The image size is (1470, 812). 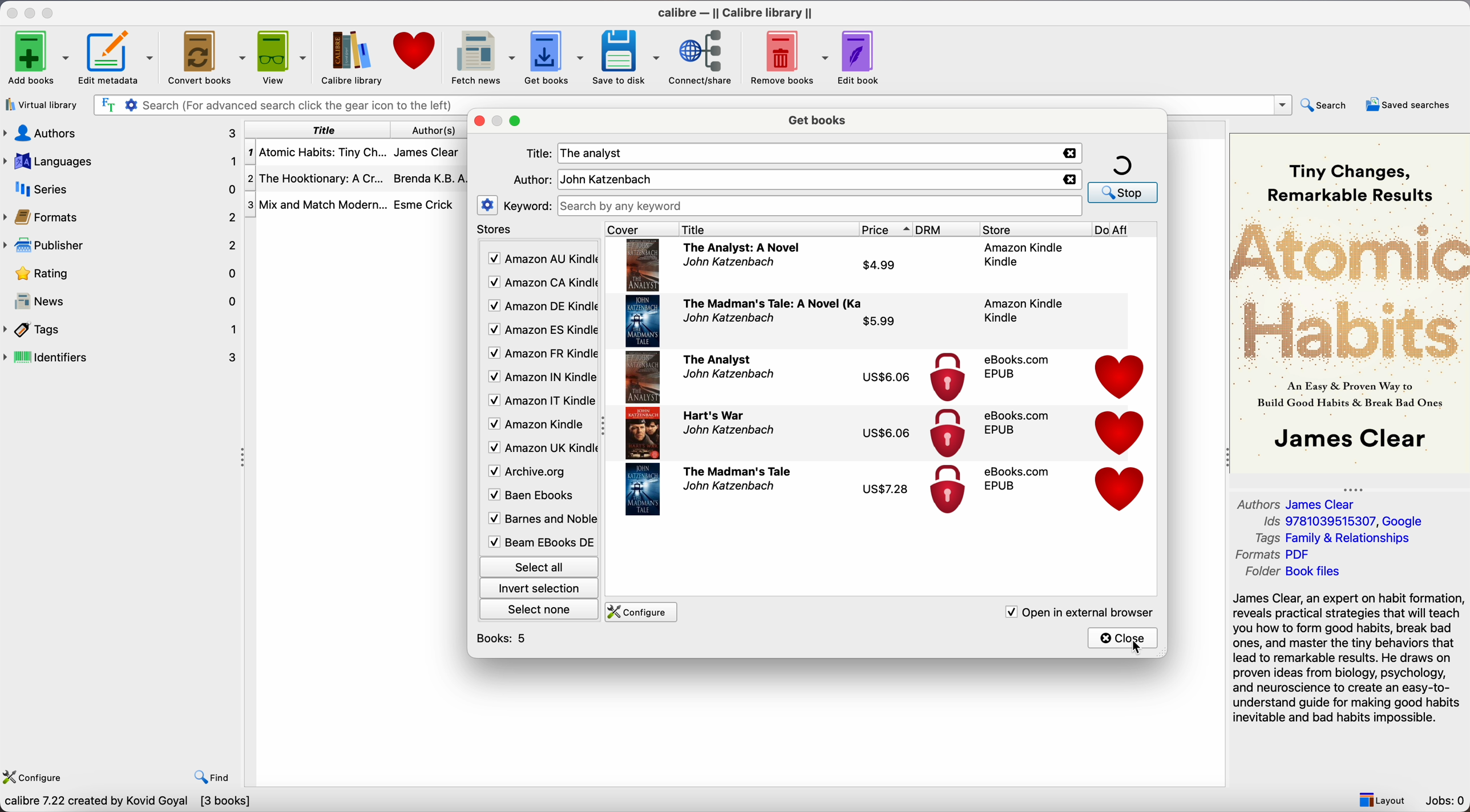 I want to click on settings, so click(x=487, y=205).